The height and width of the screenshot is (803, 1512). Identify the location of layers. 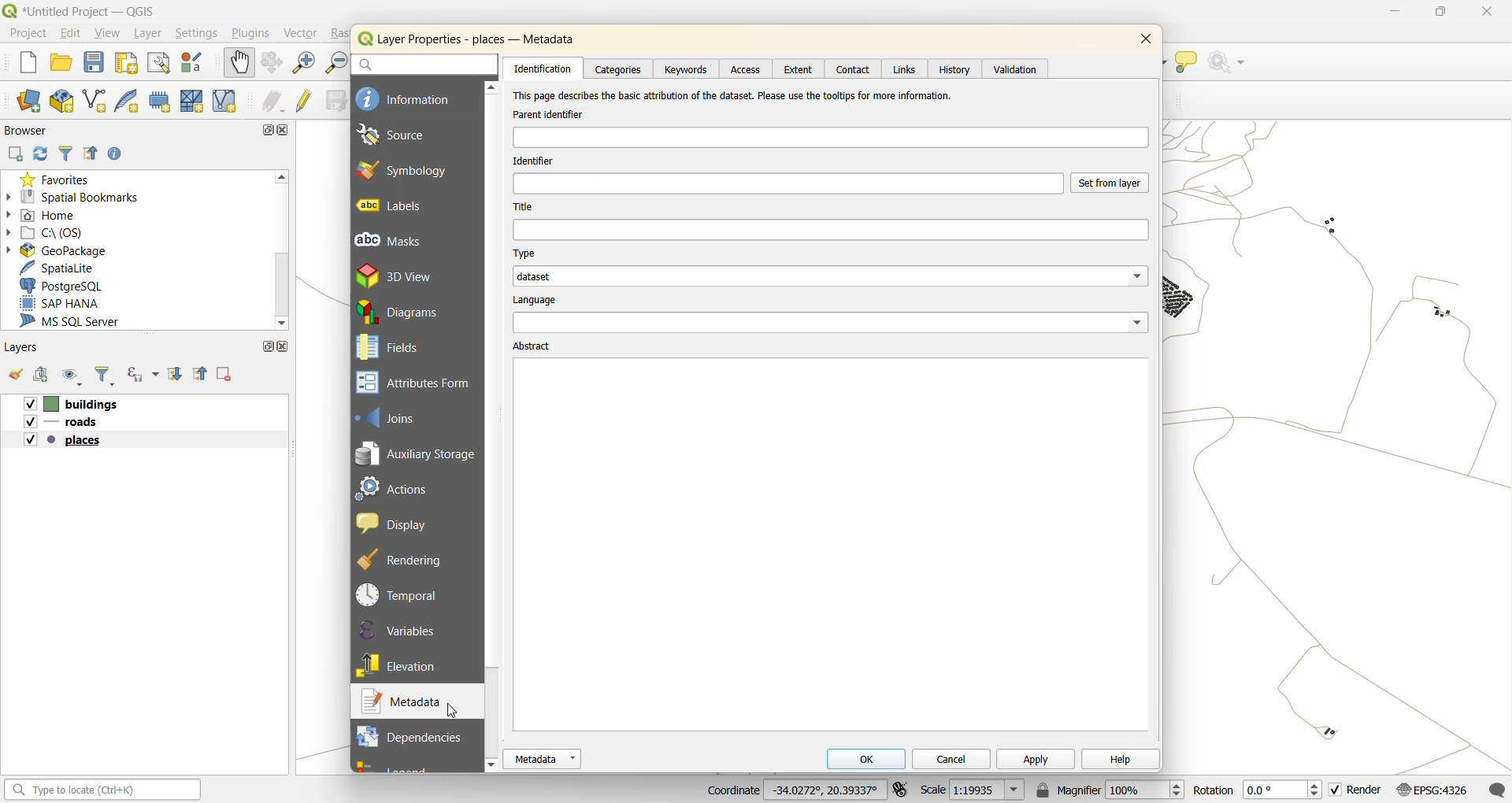
(74, 403).